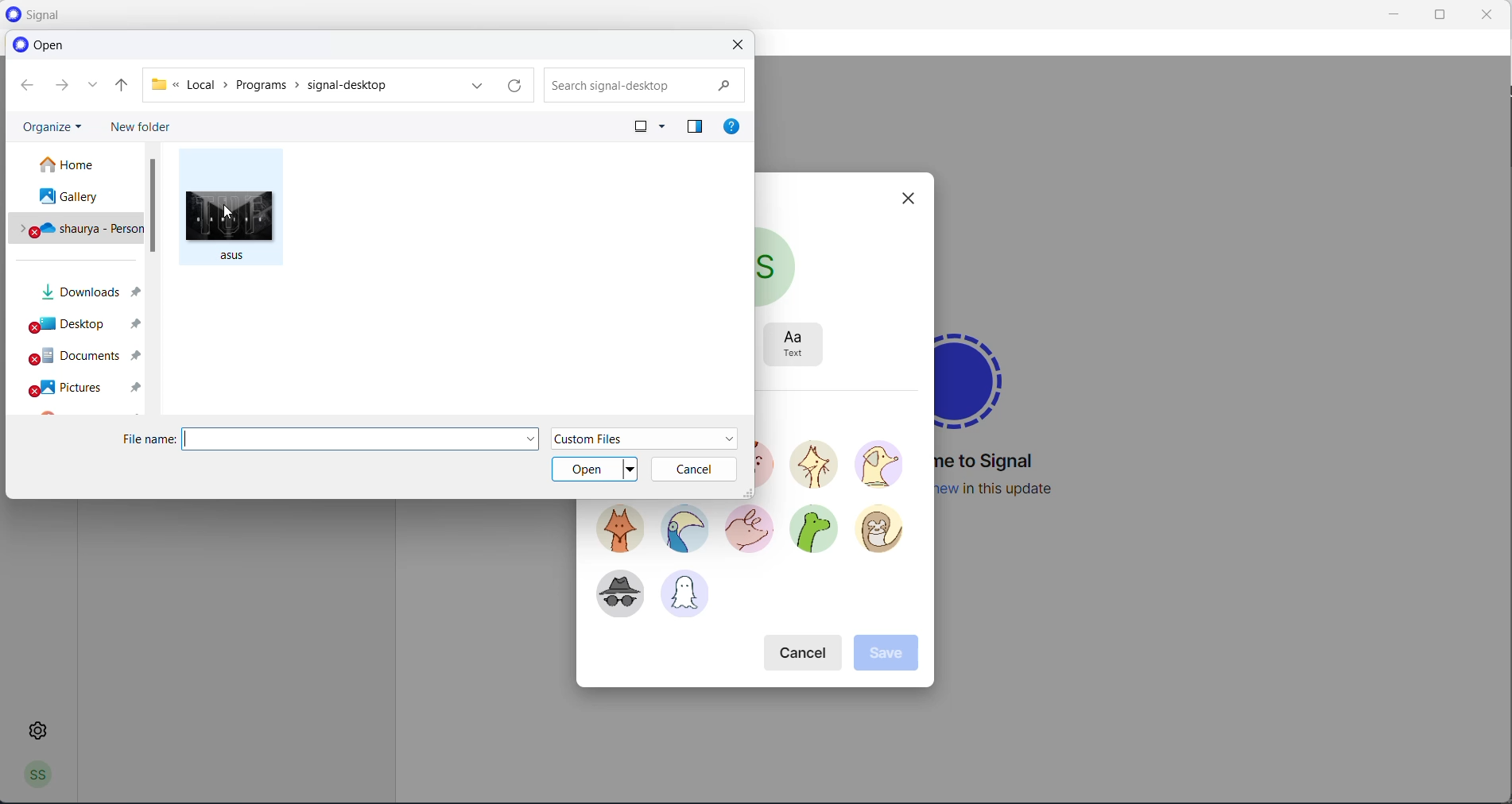  What do you see at coordinates (231, 211) in the screenshot?
I see `cursor` at bounding box center [231, 211].